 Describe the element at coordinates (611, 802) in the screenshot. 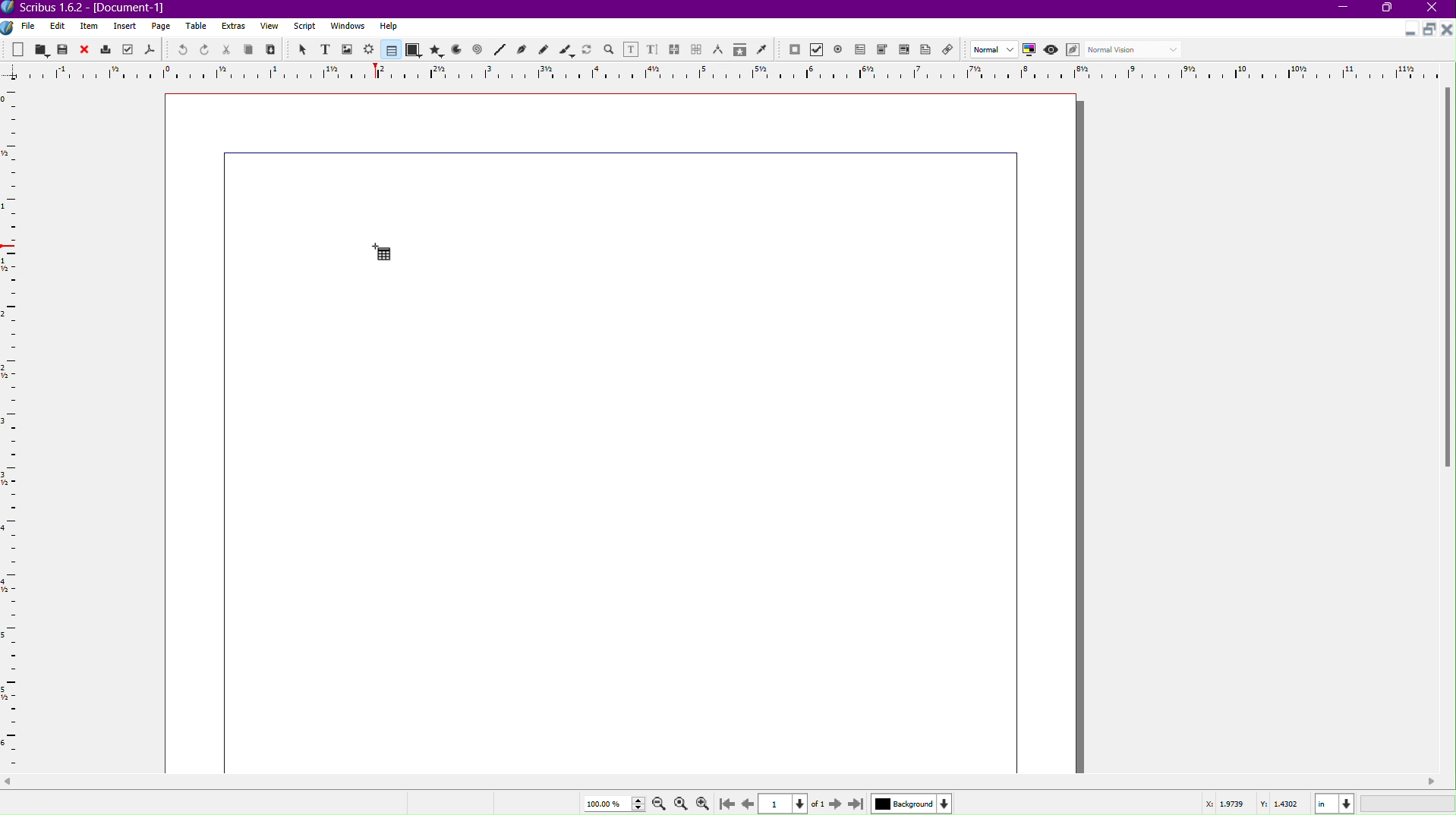

I see `Zoom Value` at that location.